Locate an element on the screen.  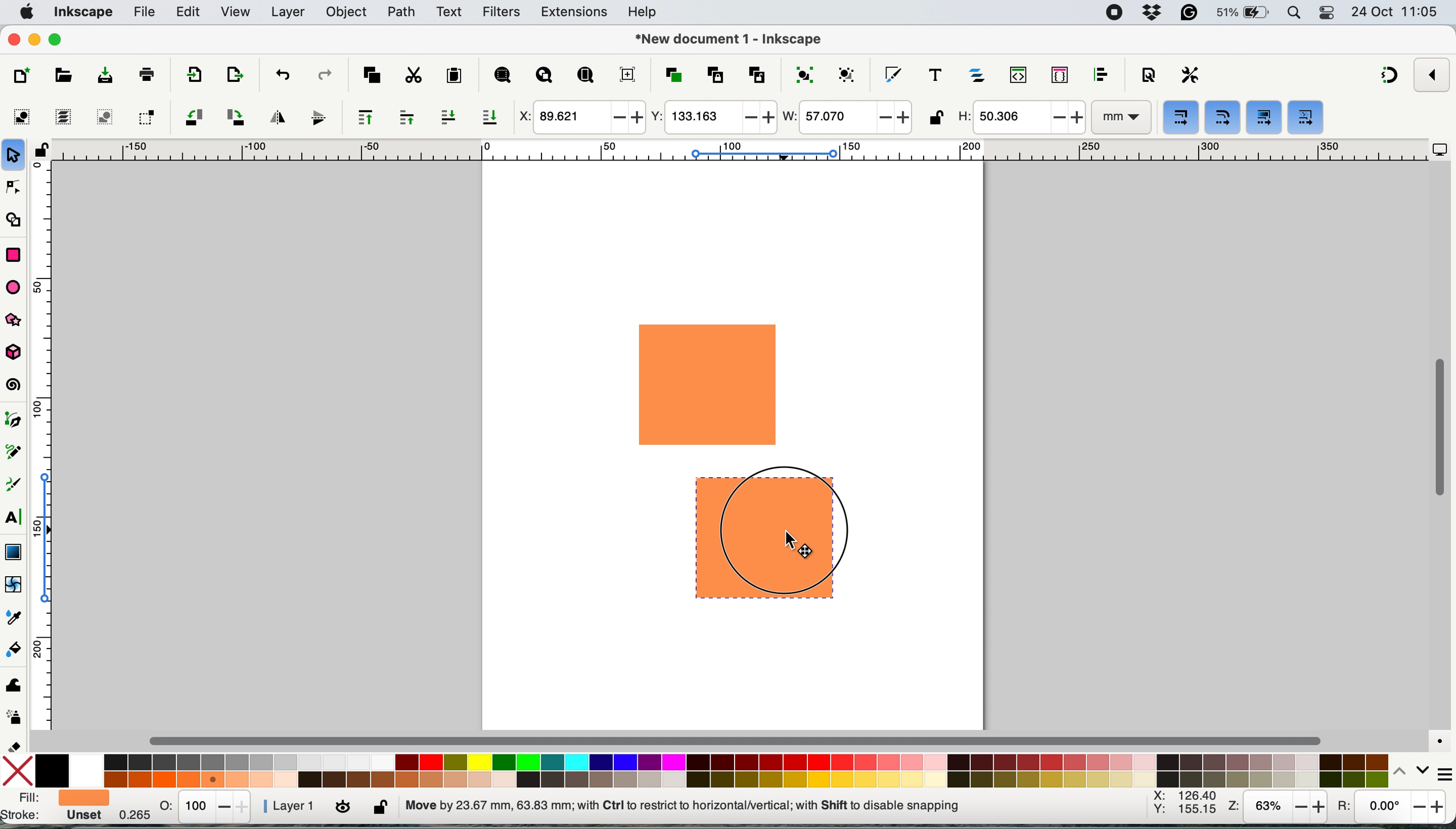
paste is located at coordinates (453, 76).